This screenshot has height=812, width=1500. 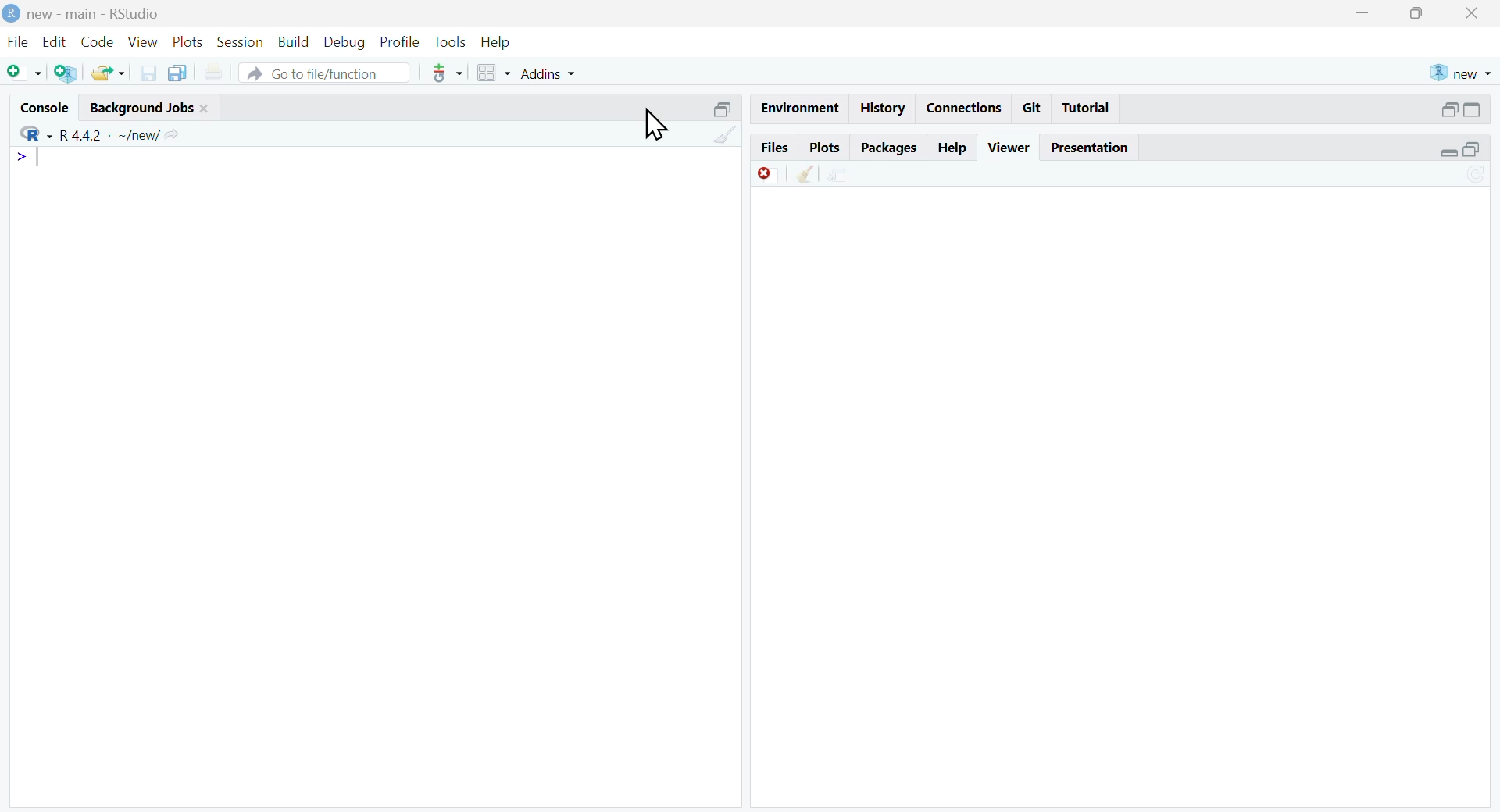 What do you see at coordinates (178, 71) in the screenshot?
I see `copy` at bounding box center [178, 71].